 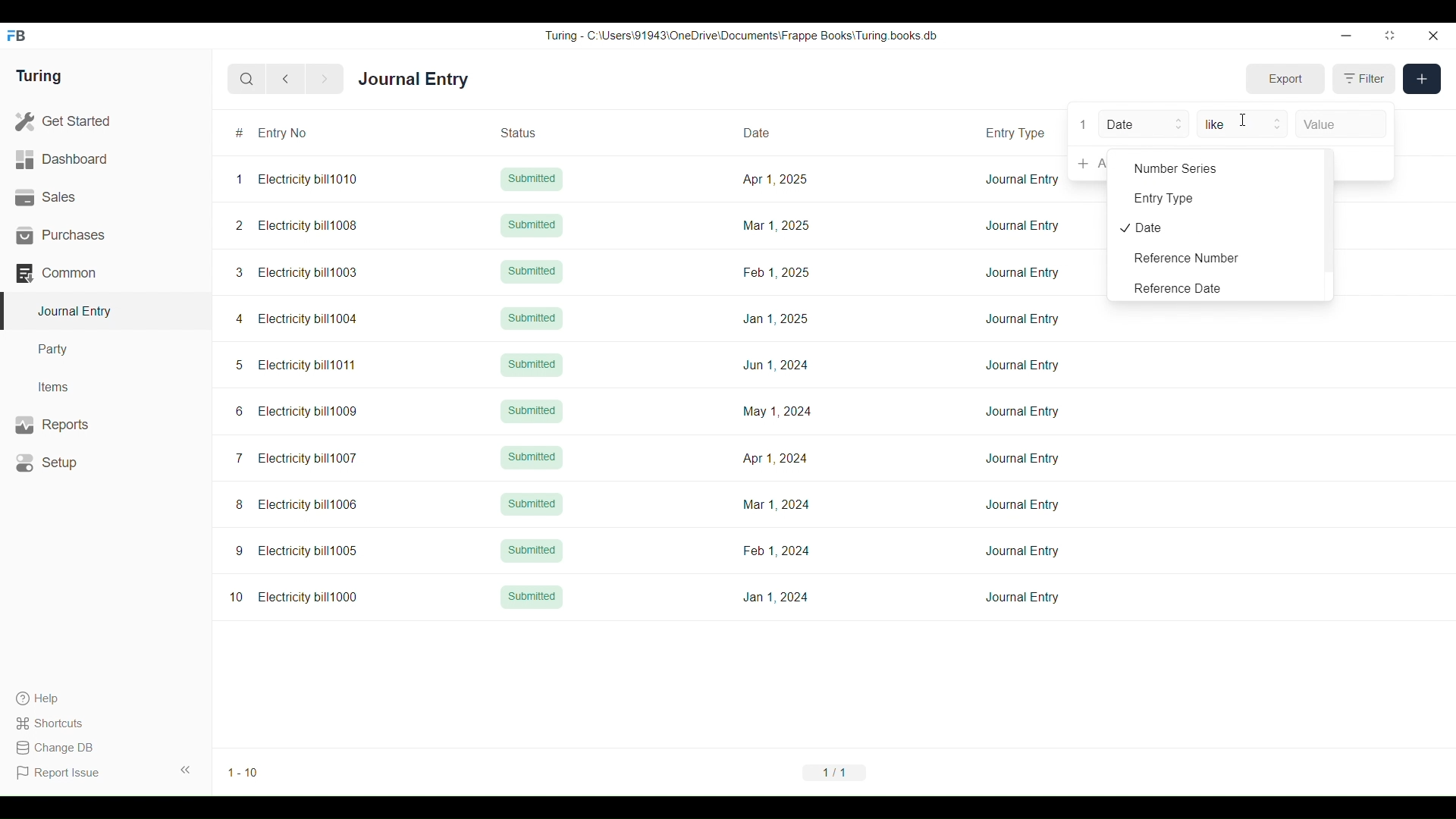 What do you see at coordinates (286, 79) in the screenshot?
I see `Previous` at bounding box center [286, 79].